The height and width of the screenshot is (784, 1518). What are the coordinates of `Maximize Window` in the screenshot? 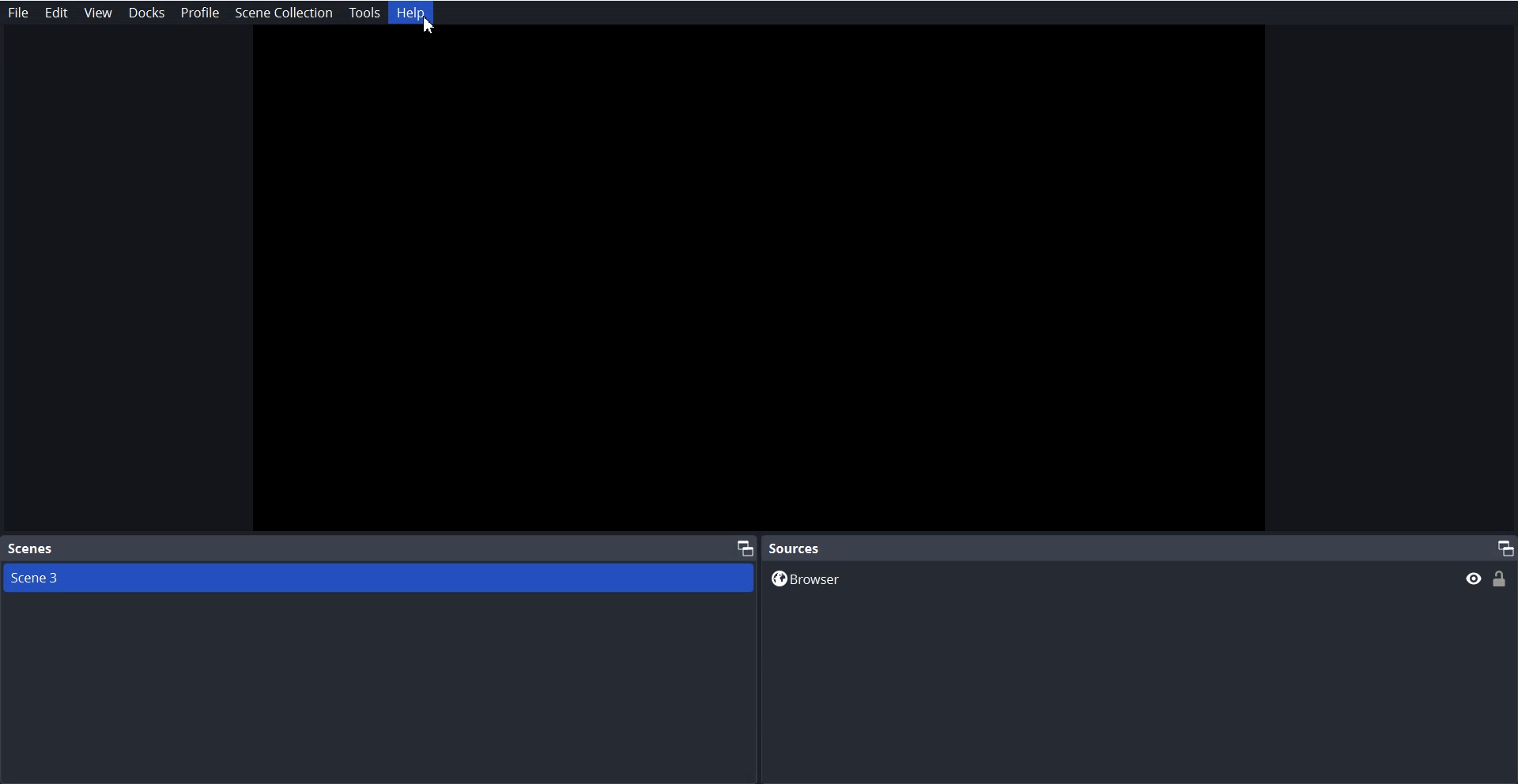 It's located at (737, 548).